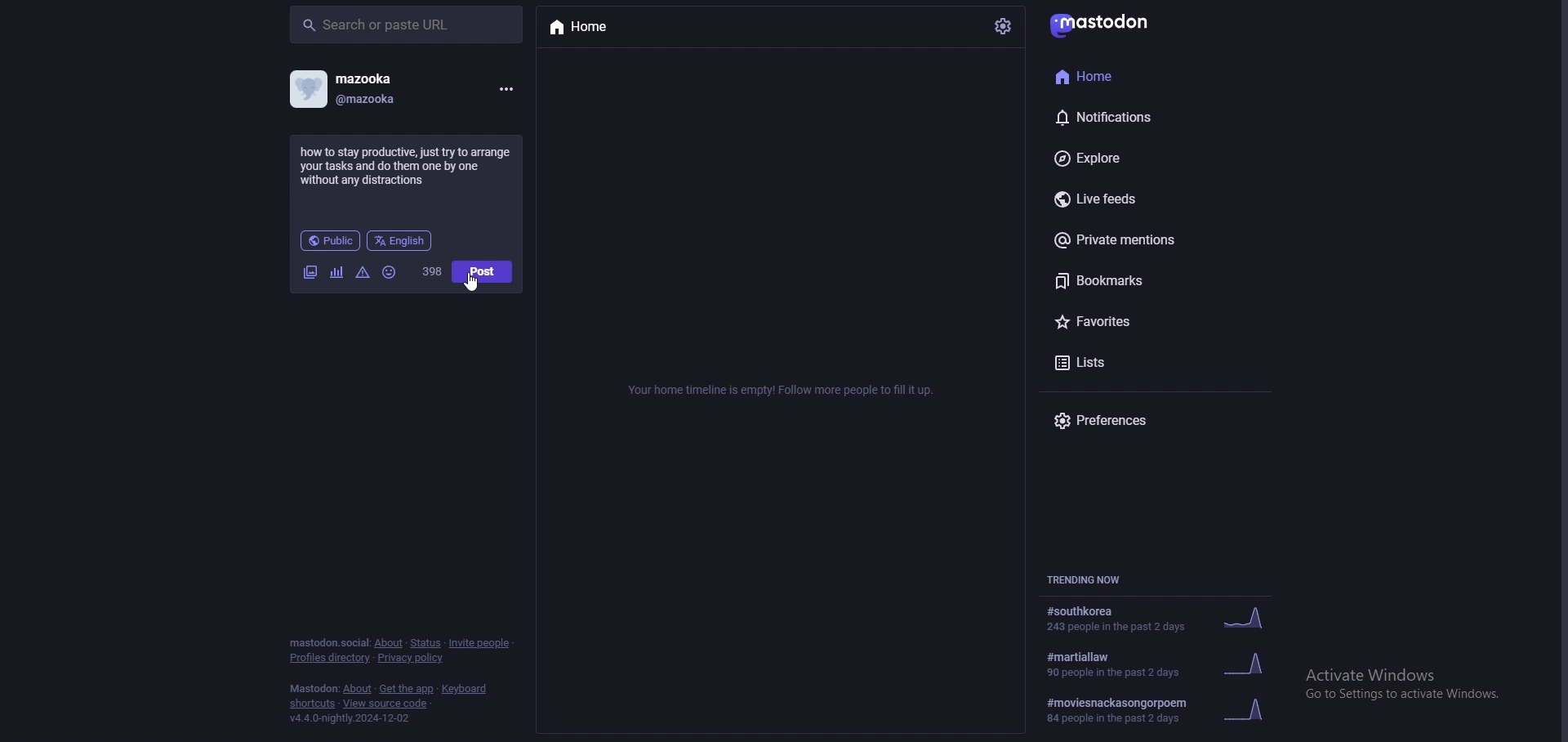 This screenshot has width=1568, height=742. What do you see at coordinates (434, 272) in the screenshot?
I see `word limit` at bounding box center [434, 272].